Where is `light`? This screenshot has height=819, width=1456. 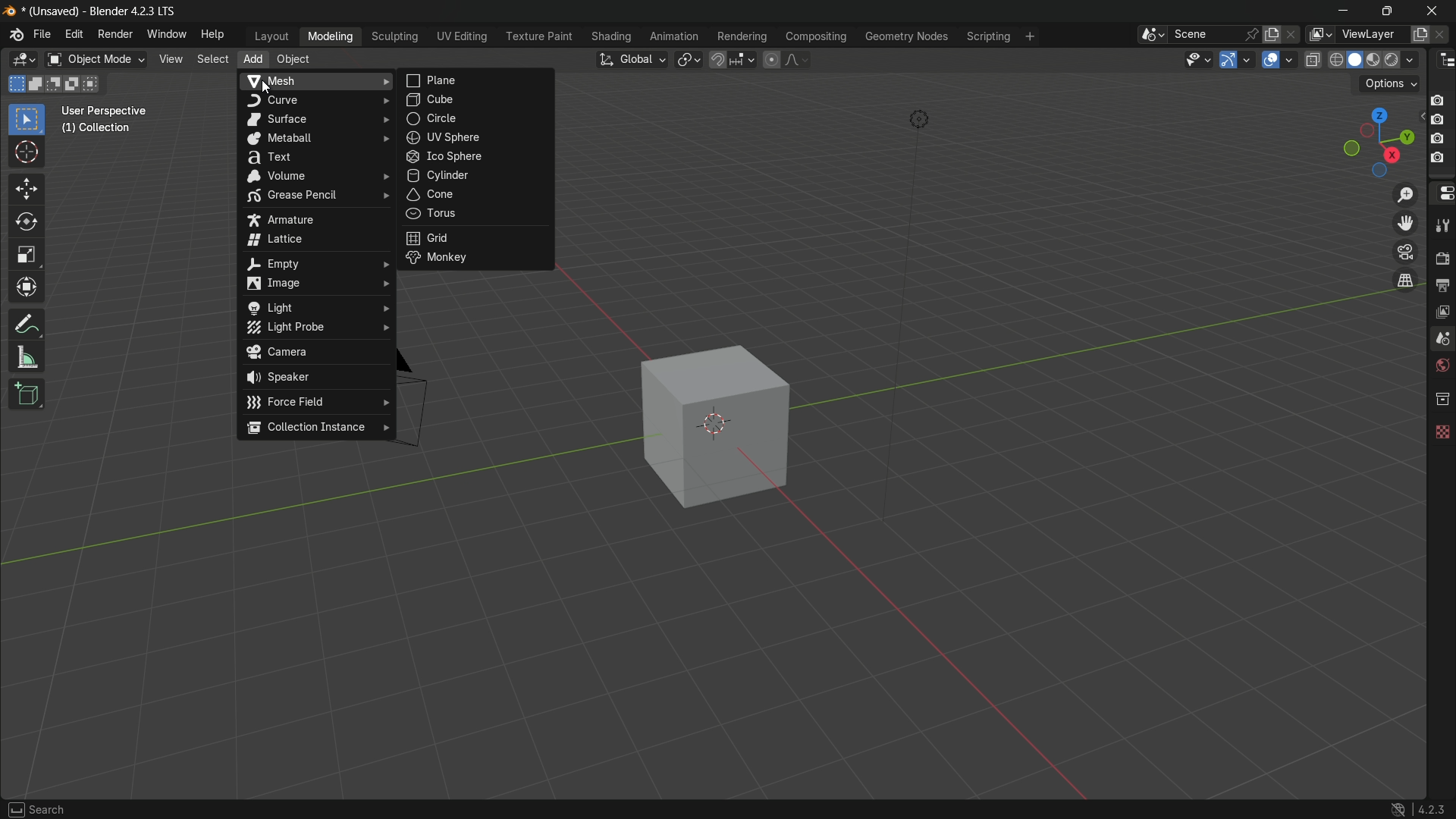 light is located at coordinates (923, 118).